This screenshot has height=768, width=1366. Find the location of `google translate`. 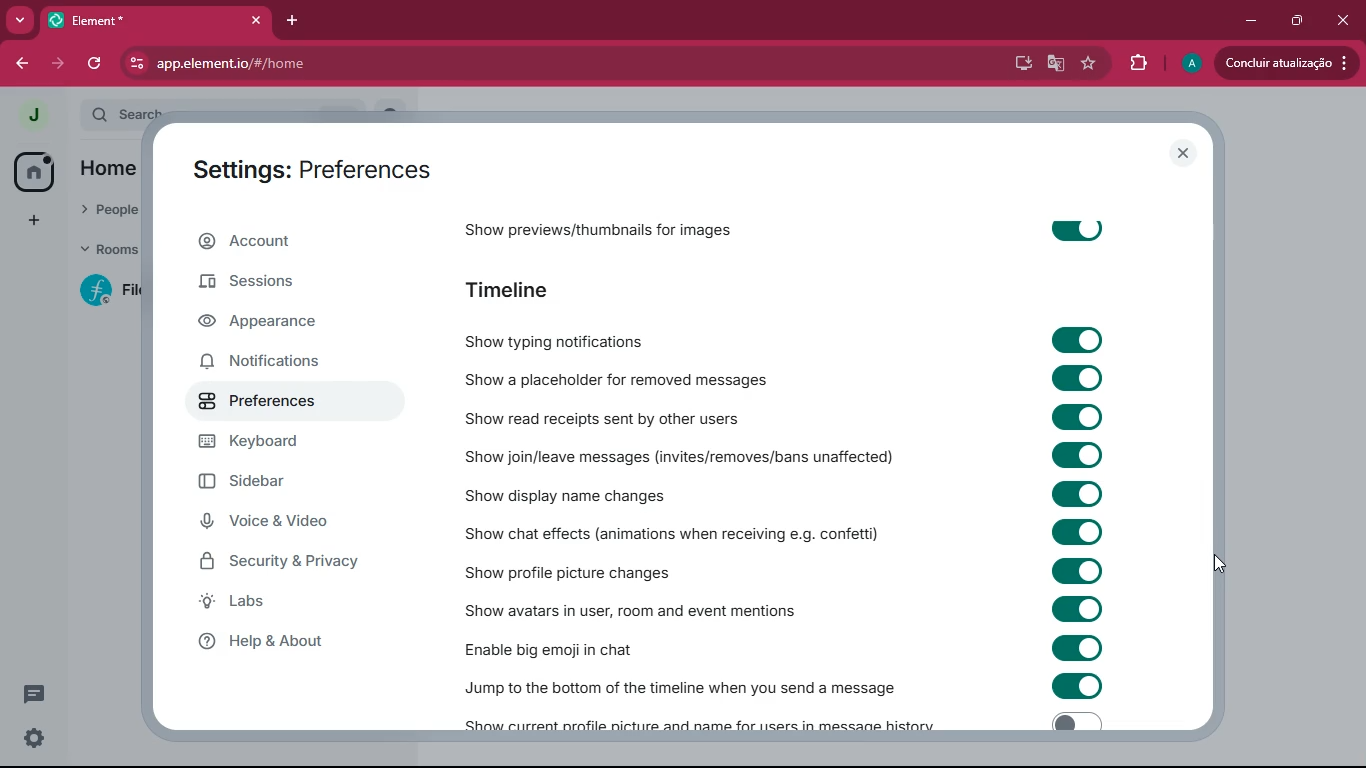

google translate is located at coordinates (1056, 66).